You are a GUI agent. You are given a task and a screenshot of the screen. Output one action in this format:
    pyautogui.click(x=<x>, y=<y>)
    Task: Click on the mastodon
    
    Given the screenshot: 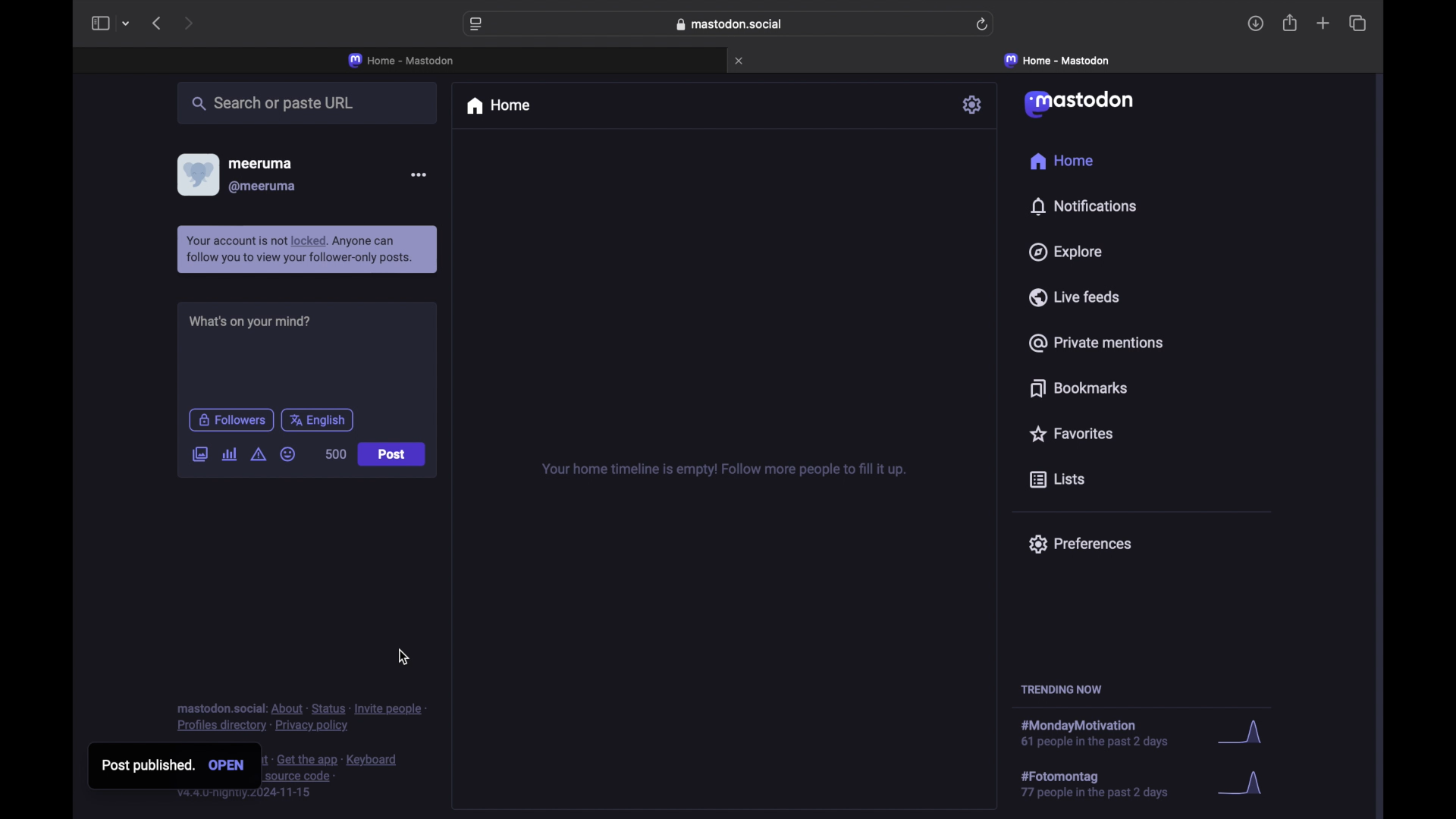 What is the action you would take?
    pyautogui.click(x=1081, y=104)
    